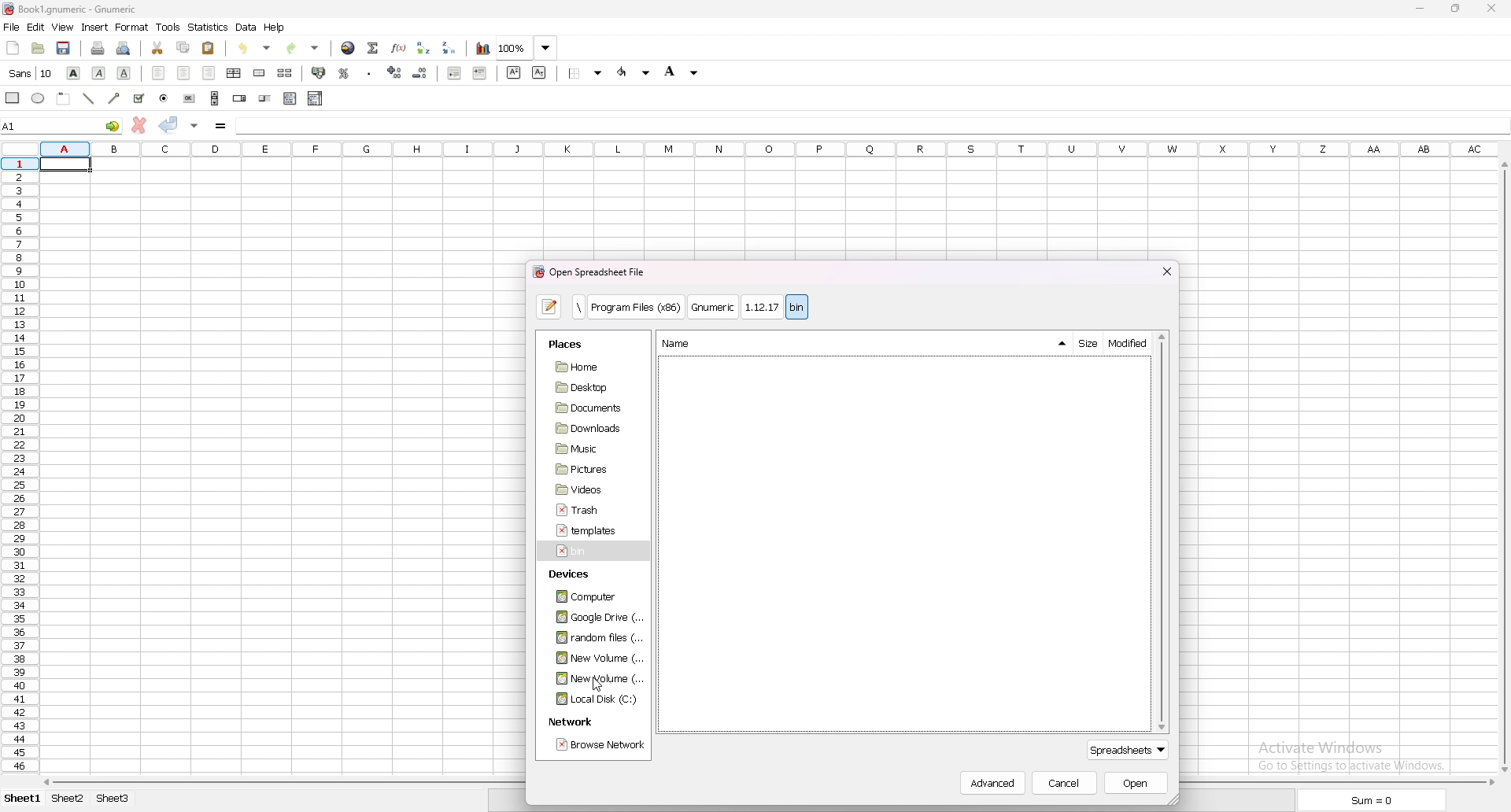 This screenshot has width=1511, height=812. I want to click on browse network, so click(598, 746).